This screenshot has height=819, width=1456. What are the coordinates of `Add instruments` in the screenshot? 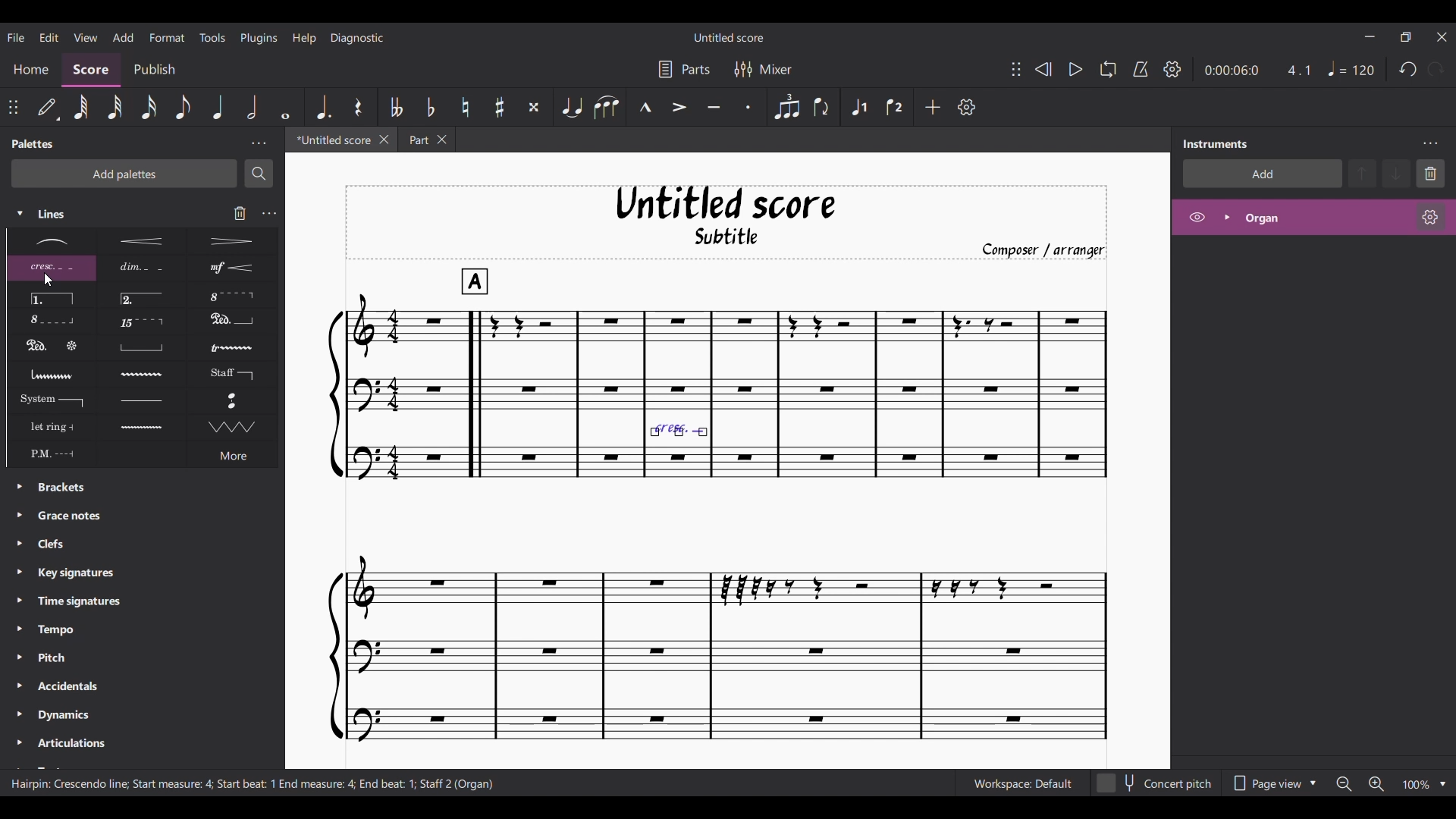 It's located at (1263, 174).